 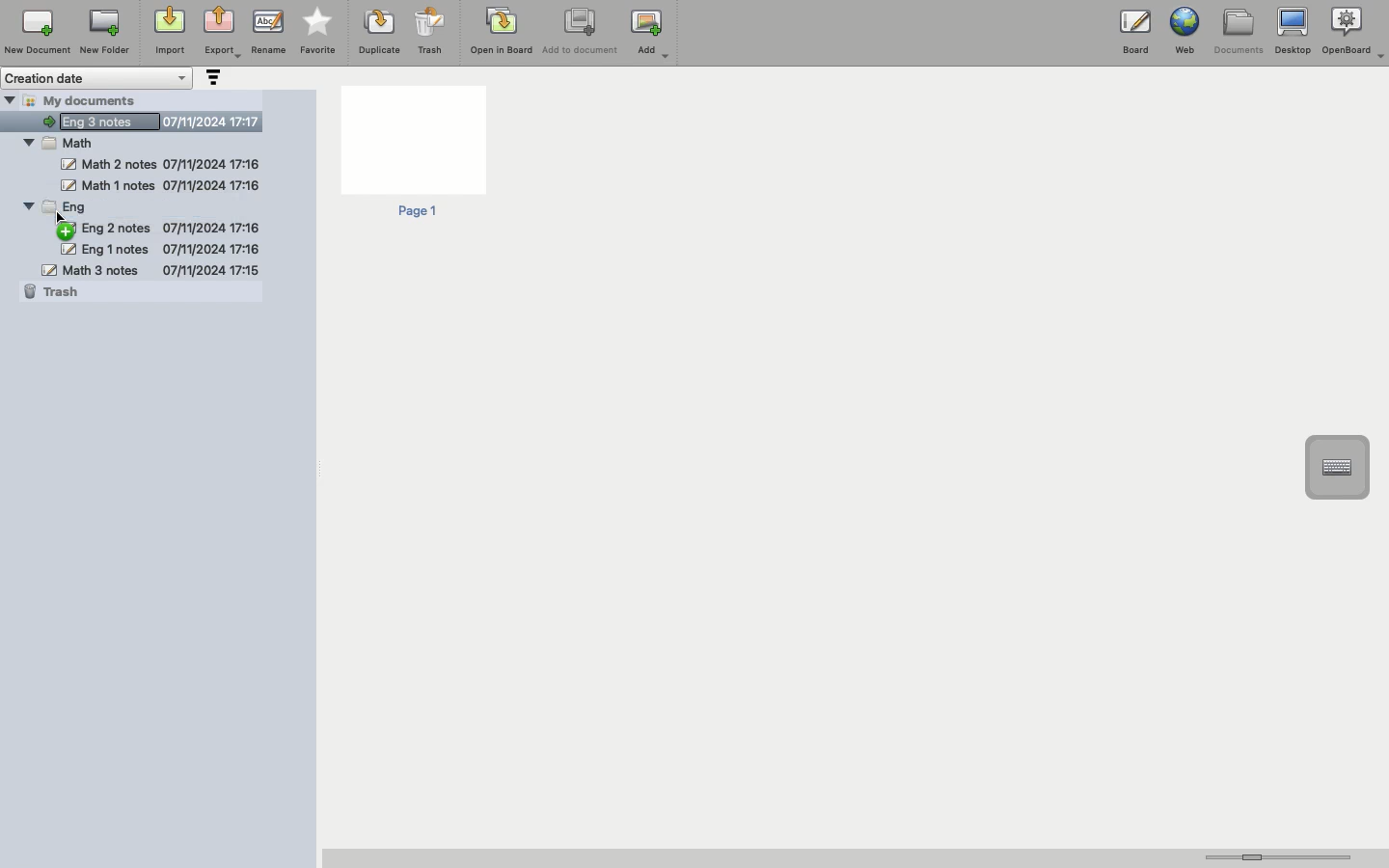 I want to click on Sort, so click(x=211, y=79).